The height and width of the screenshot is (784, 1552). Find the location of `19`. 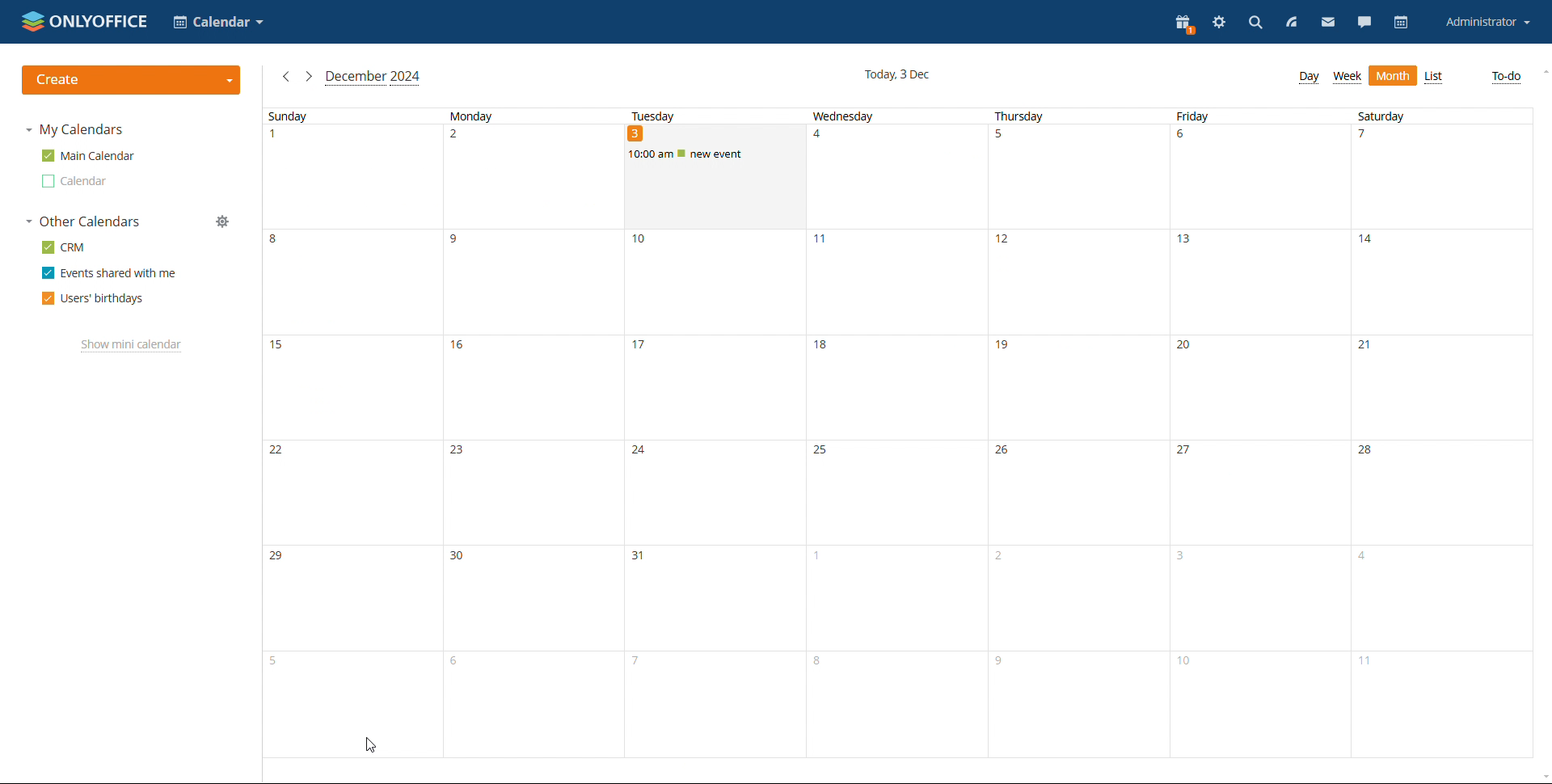

19 is located at coordinates (1078, 387).